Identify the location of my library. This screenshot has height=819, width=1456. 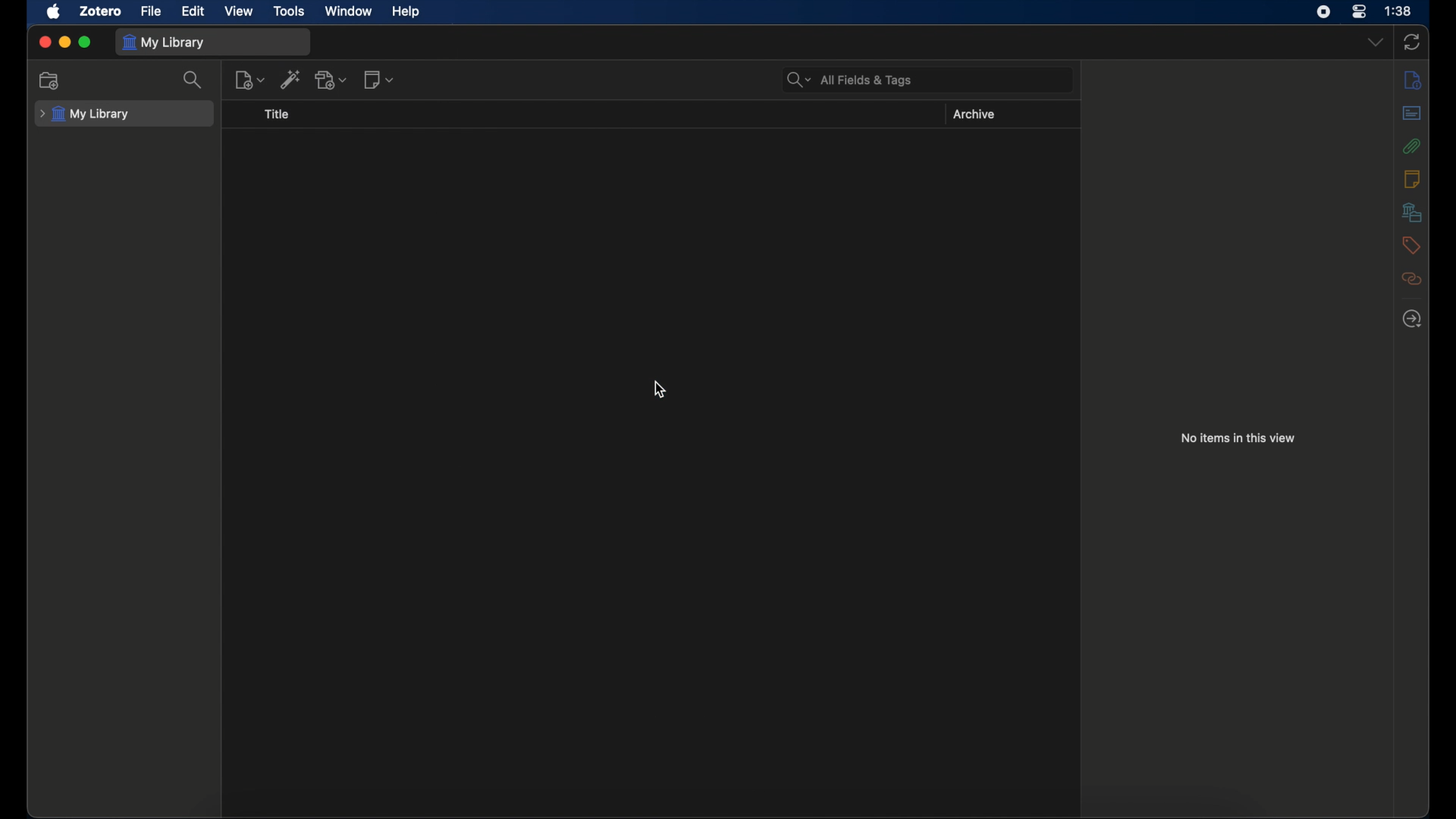
(167, 42).